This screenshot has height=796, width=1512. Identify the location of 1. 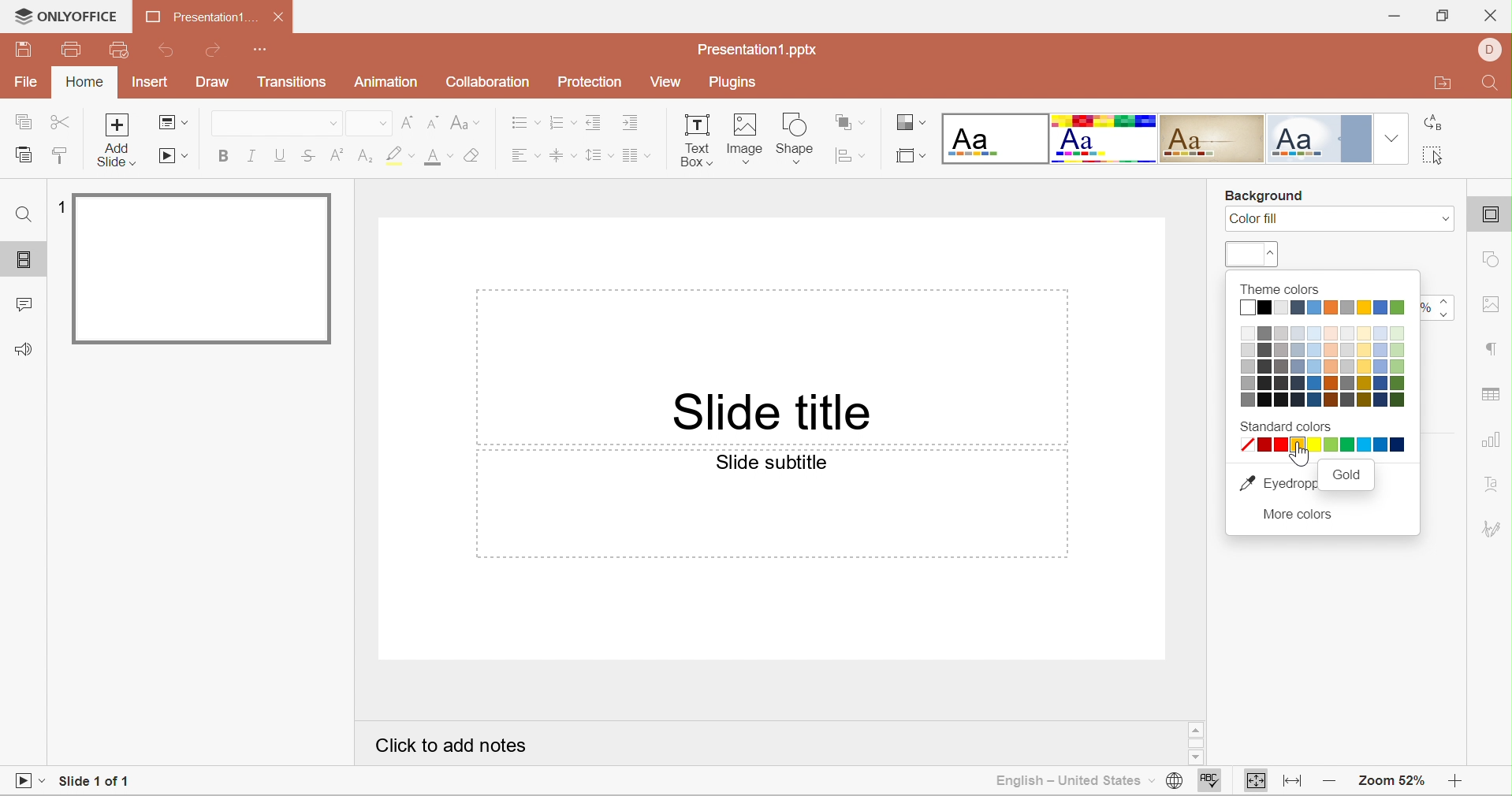
(63, 205).